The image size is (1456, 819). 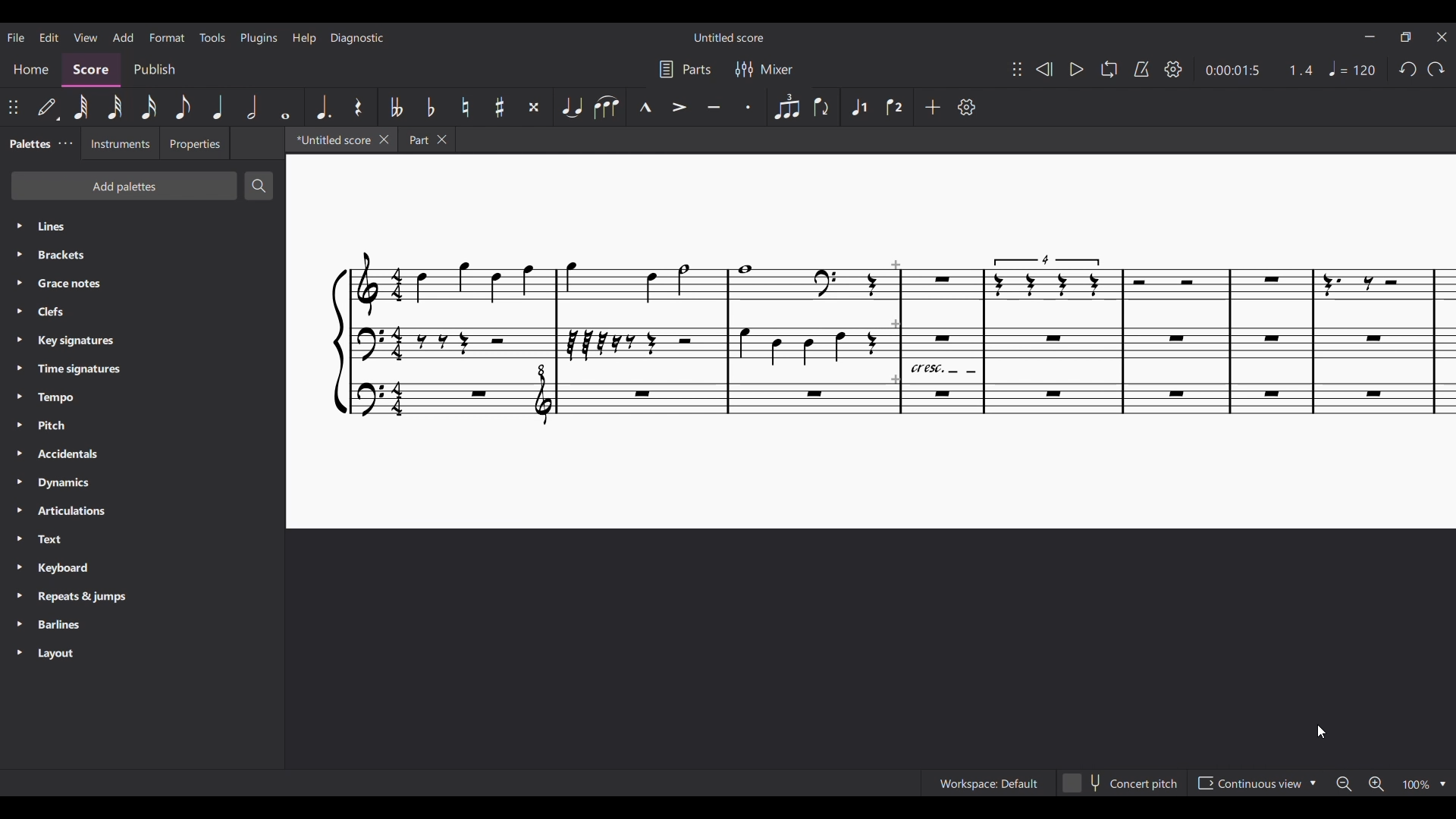 I want to click on Search palette, so click(x=259, y=186).